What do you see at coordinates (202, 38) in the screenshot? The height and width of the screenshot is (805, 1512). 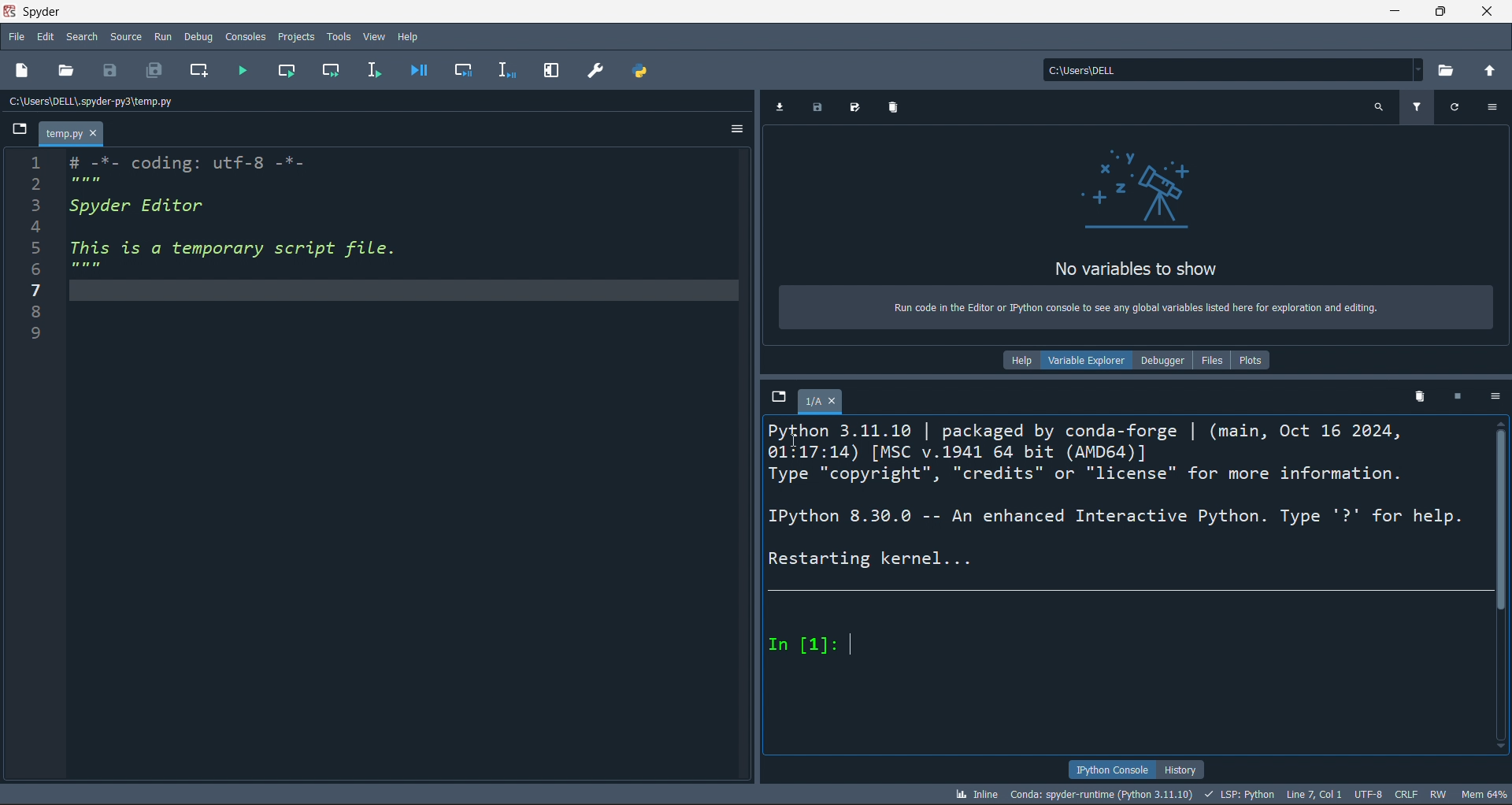 I see `Debug` at bounding box center [202, 38].